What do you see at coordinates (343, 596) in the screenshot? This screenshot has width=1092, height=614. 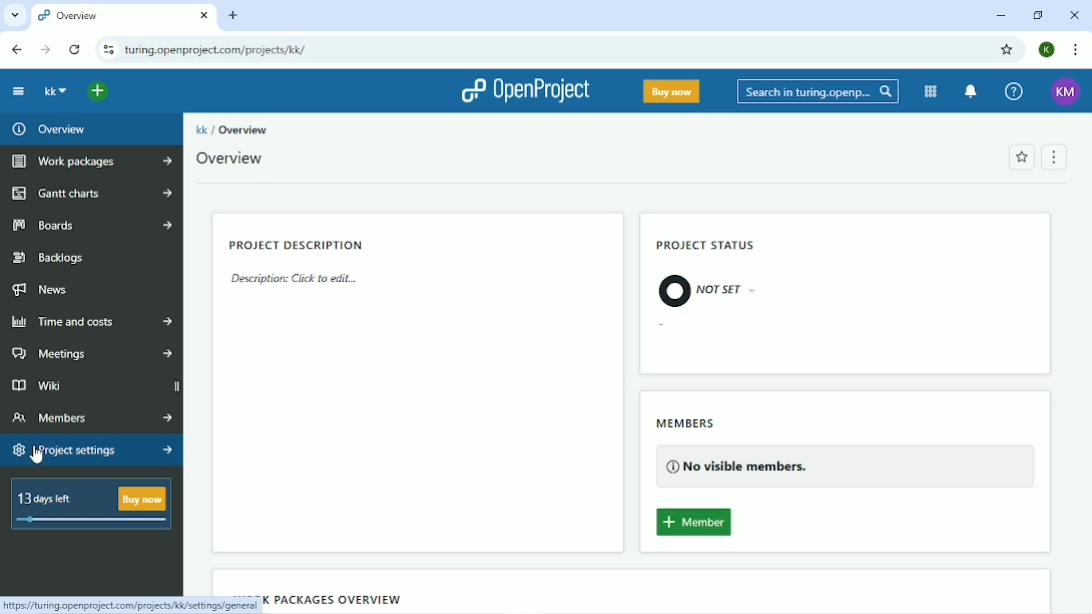 I see `Work packages overview` at bounding box center [343, 596].